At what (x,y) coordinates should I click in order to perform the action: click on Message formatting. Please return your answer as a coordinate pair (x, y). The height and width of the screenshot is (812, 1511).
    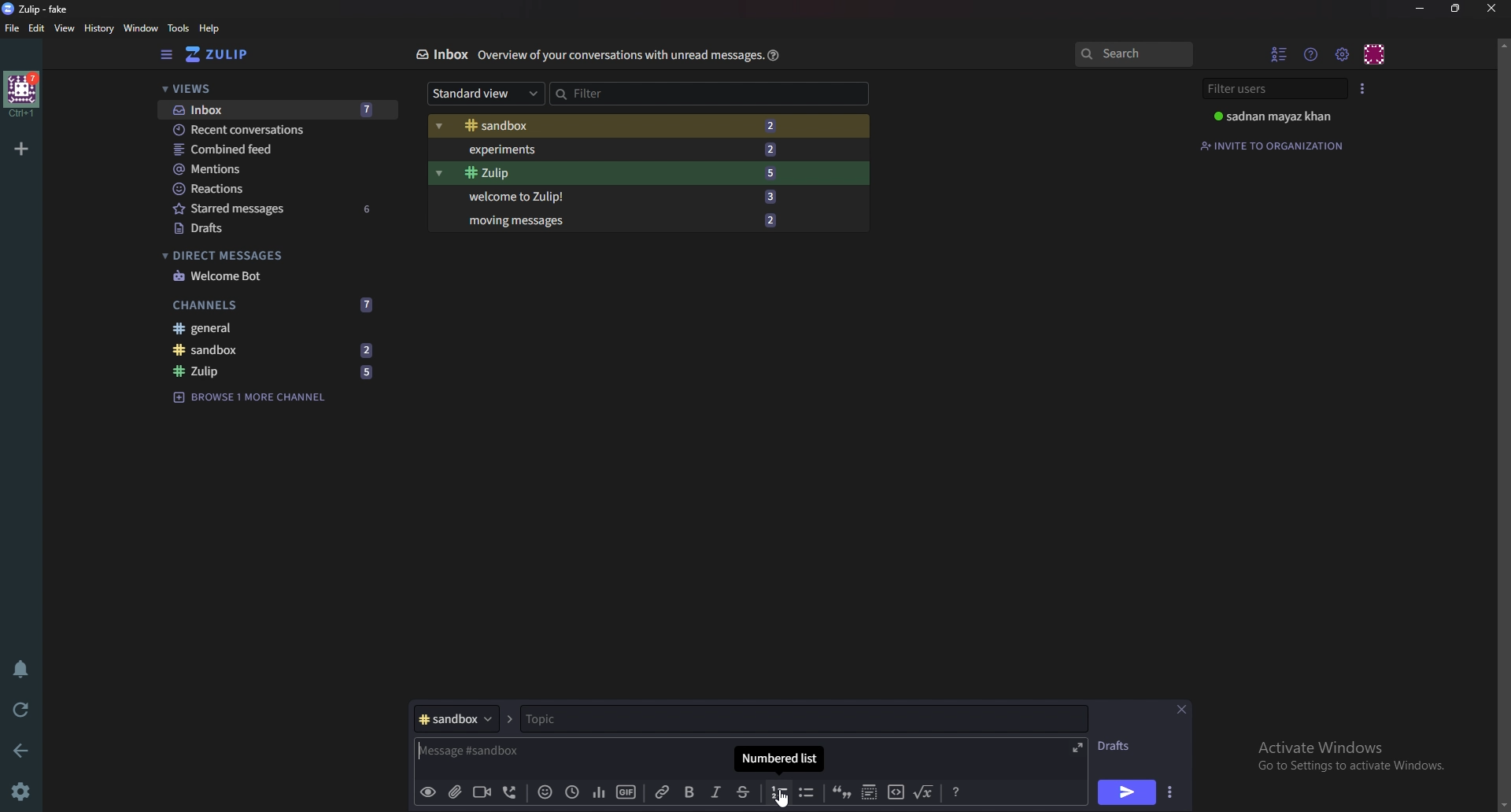
    Looking at the image, I should click on (955, 792).